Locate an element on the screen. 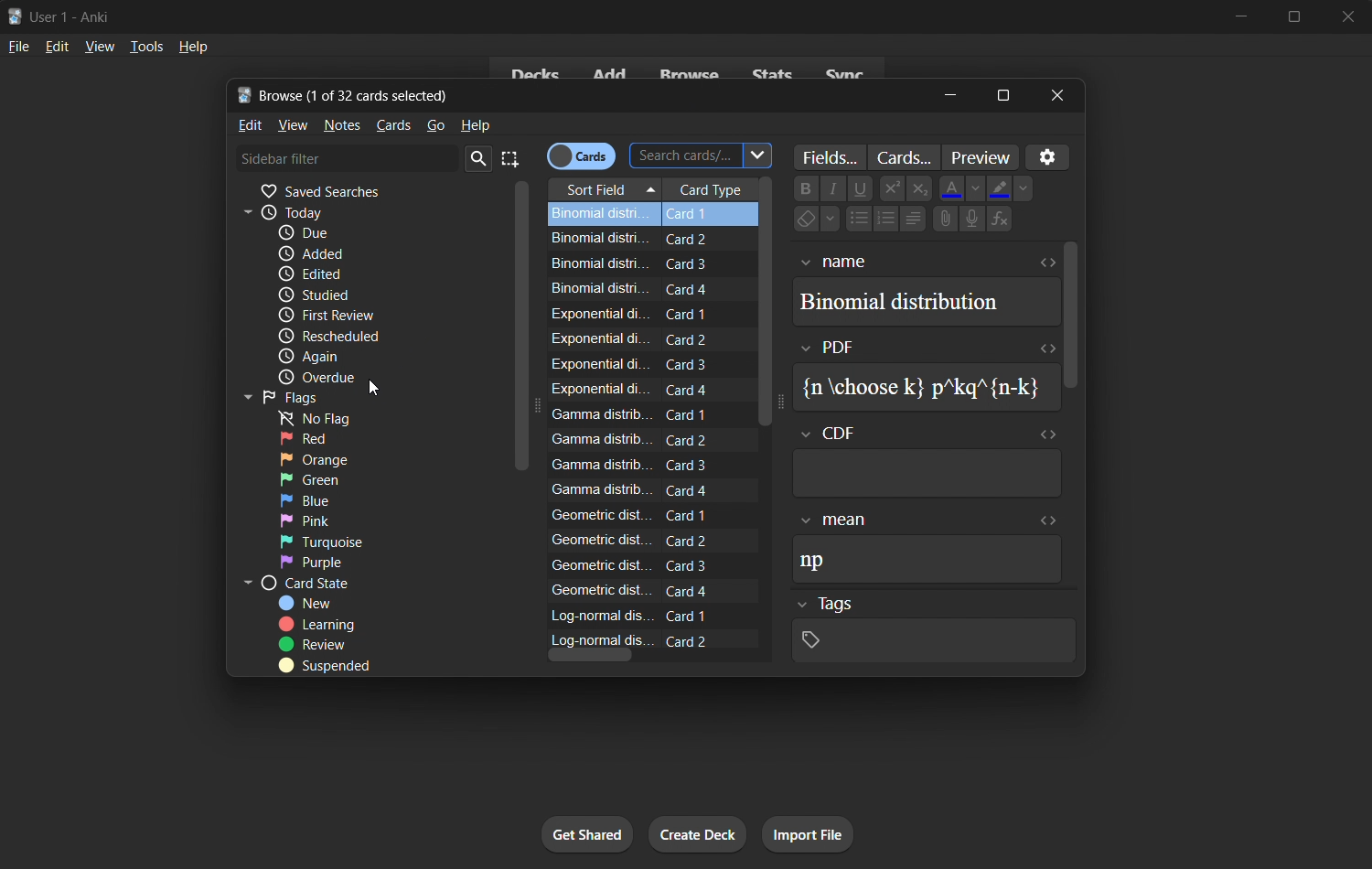 The height and width of the screenshot is (869, 1372). added  is located at coordinates (365, 252).